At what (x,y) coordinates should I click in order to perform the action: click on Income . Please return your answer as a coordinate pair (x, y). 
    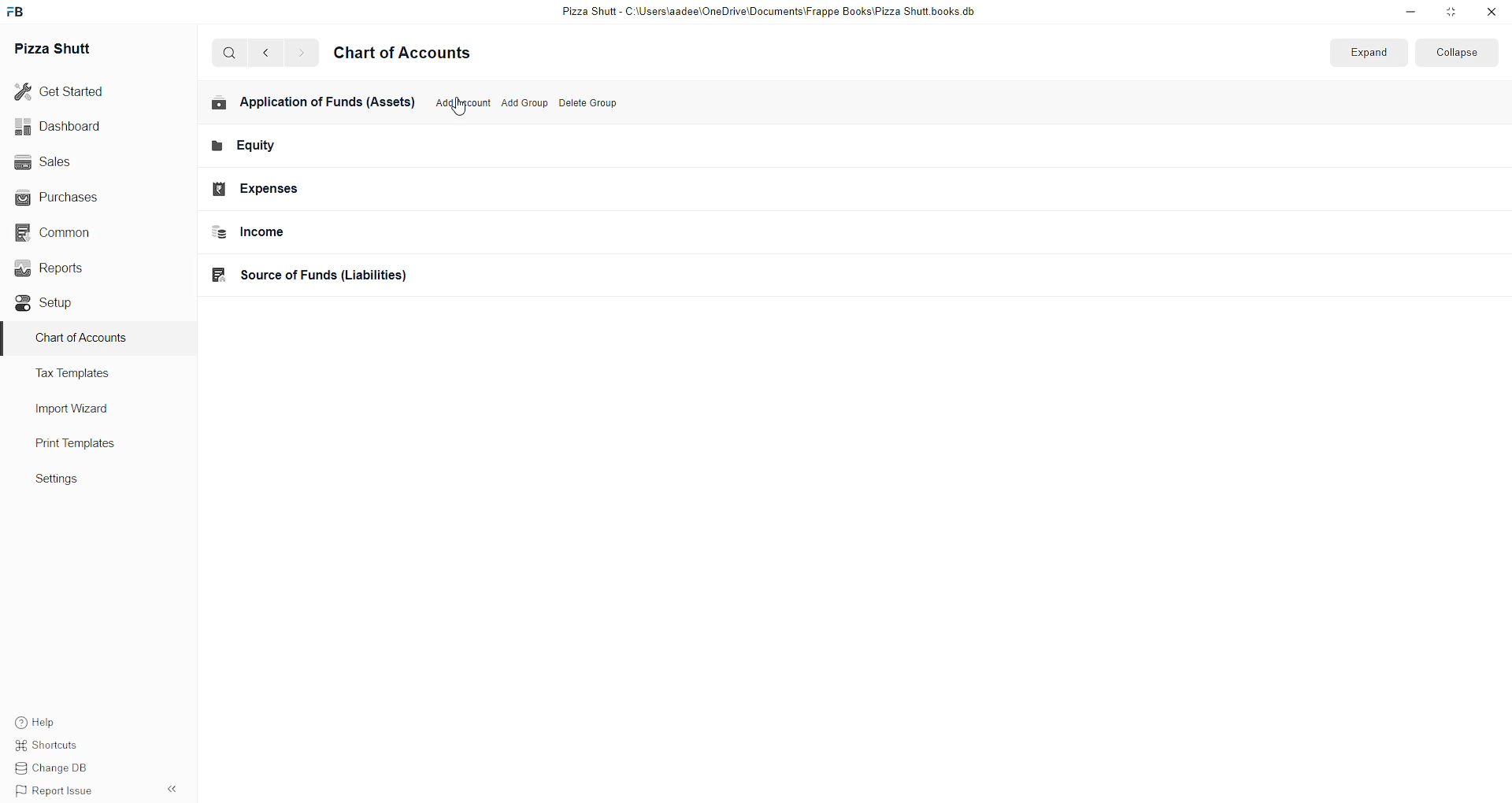
    Looking at the image, I should click on (325, 232).